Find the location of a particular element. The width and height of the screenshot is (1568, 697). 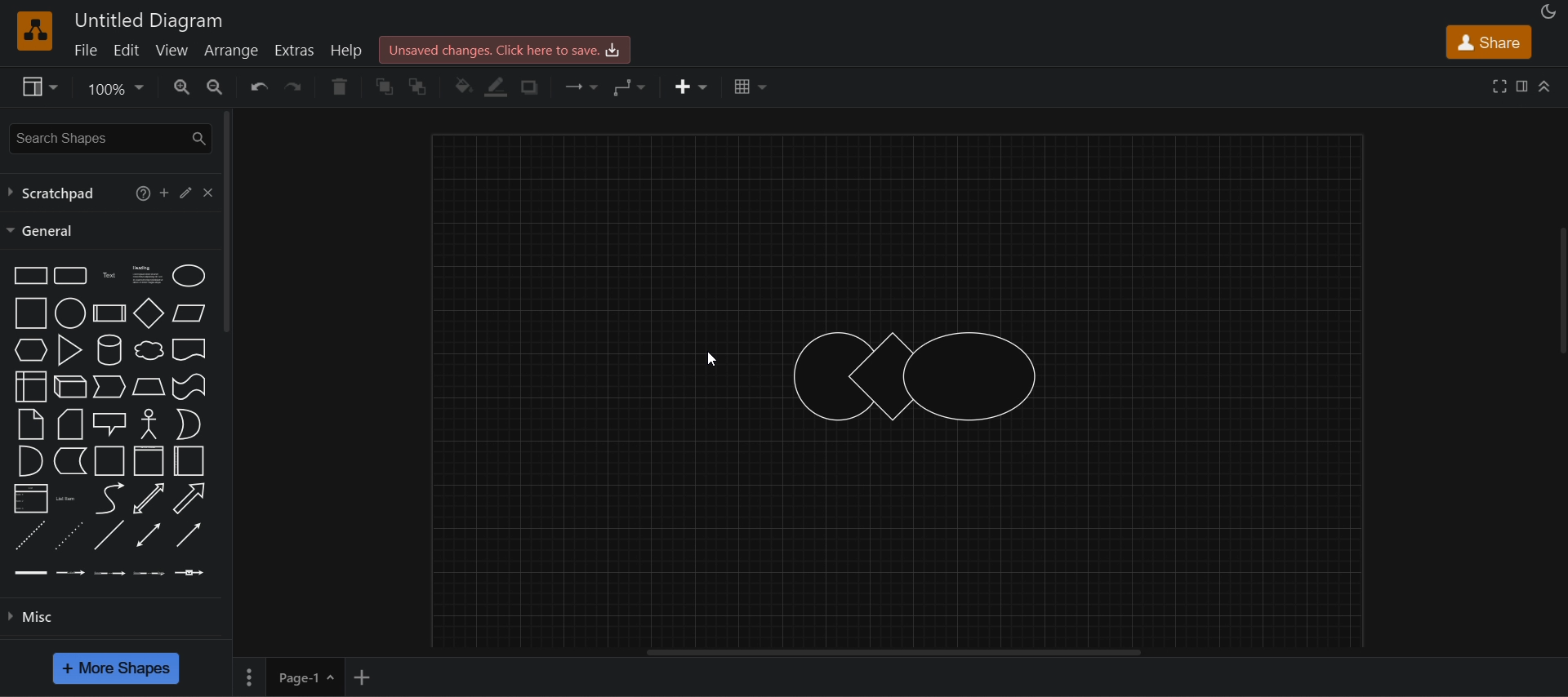

rounded rectangle is located at coordinates (69, 274).